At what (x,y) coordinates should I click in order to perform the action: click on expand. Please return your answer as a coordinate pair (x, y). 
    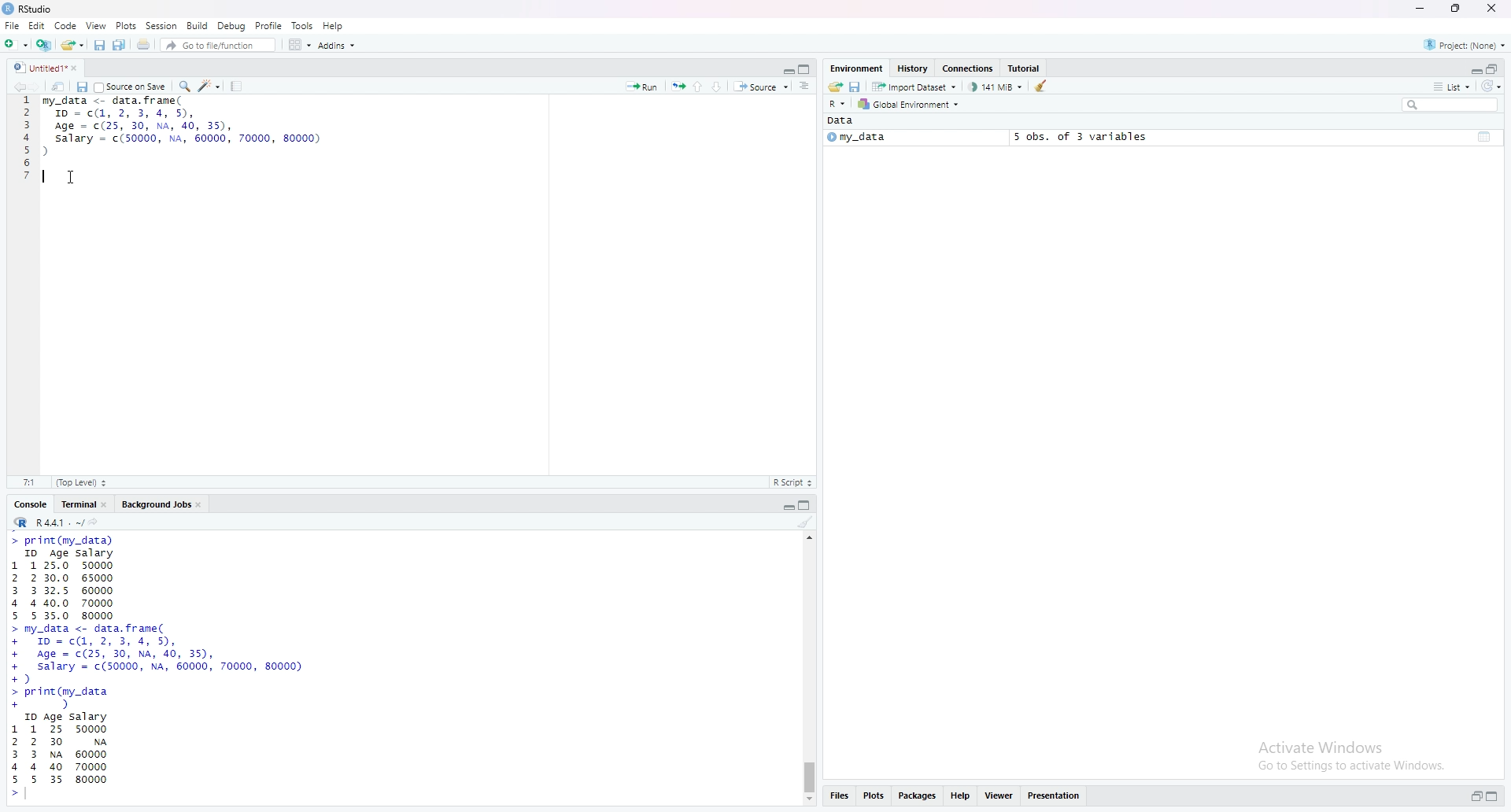
    Looking at the image, I should click on (786, 70).